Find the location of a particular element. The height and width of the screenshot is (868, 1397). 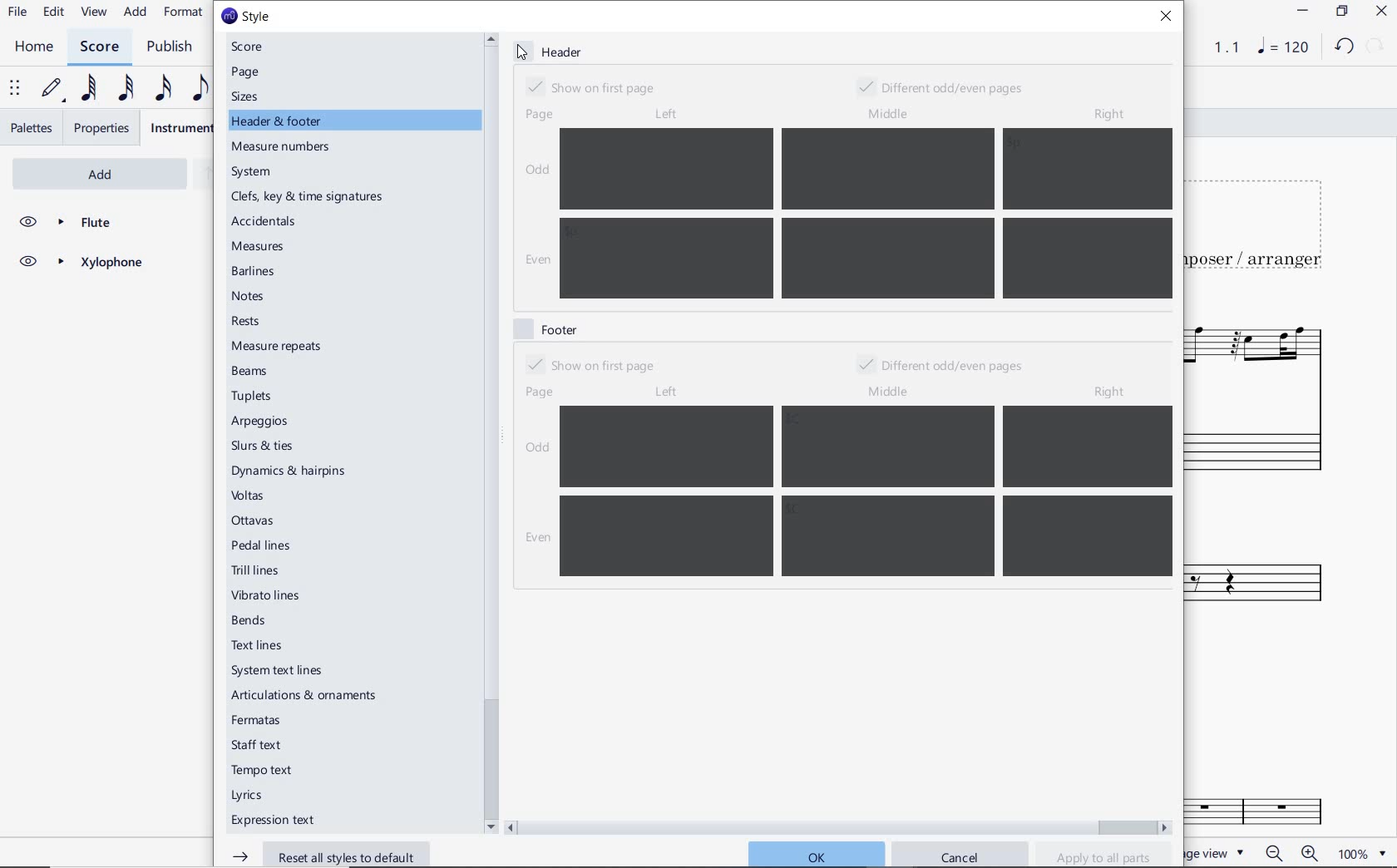

ottavas is located at coordinates (254, 520).